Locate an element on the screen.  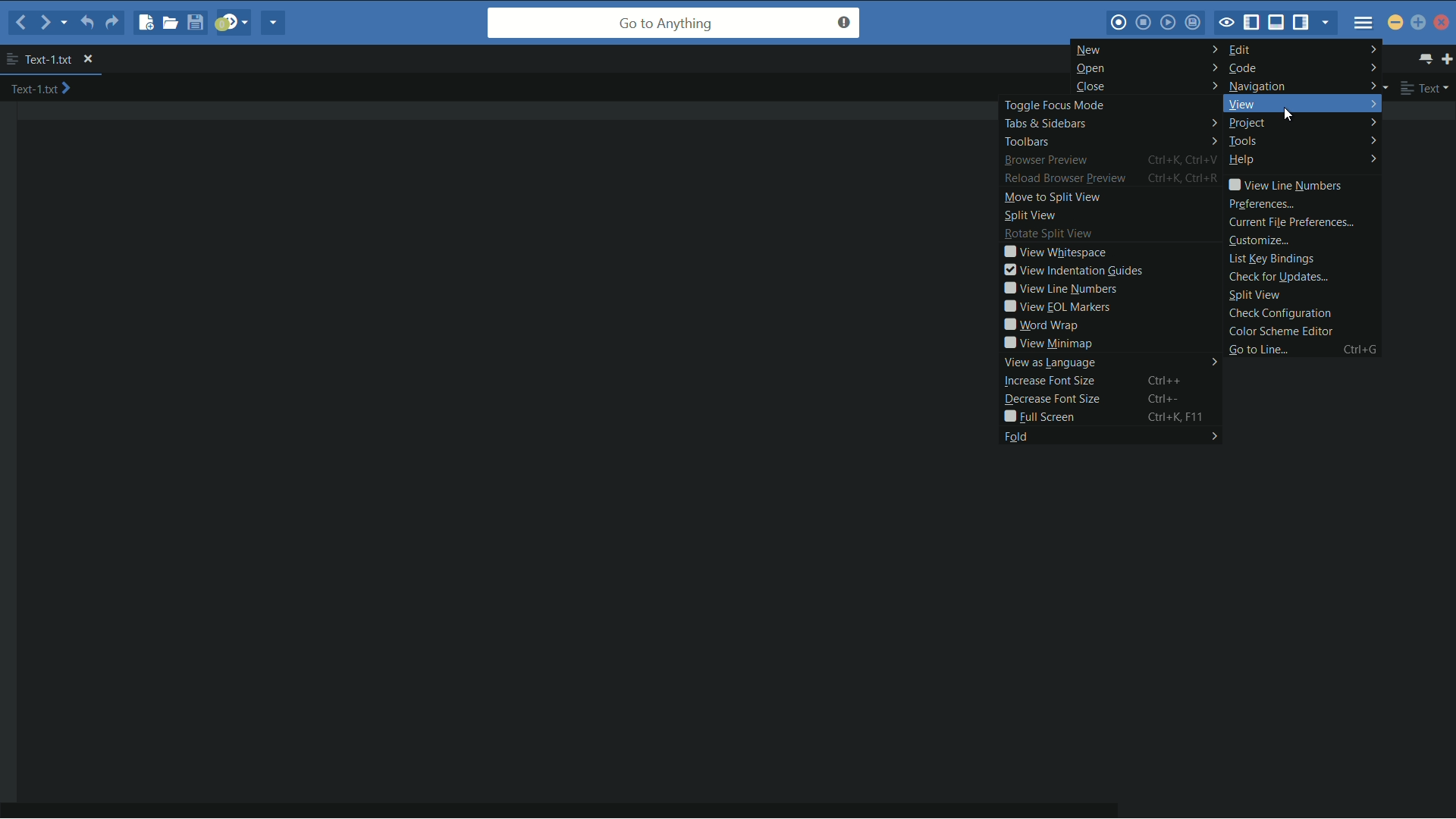
toggle focus mode is located at coordinates (1226, 23).